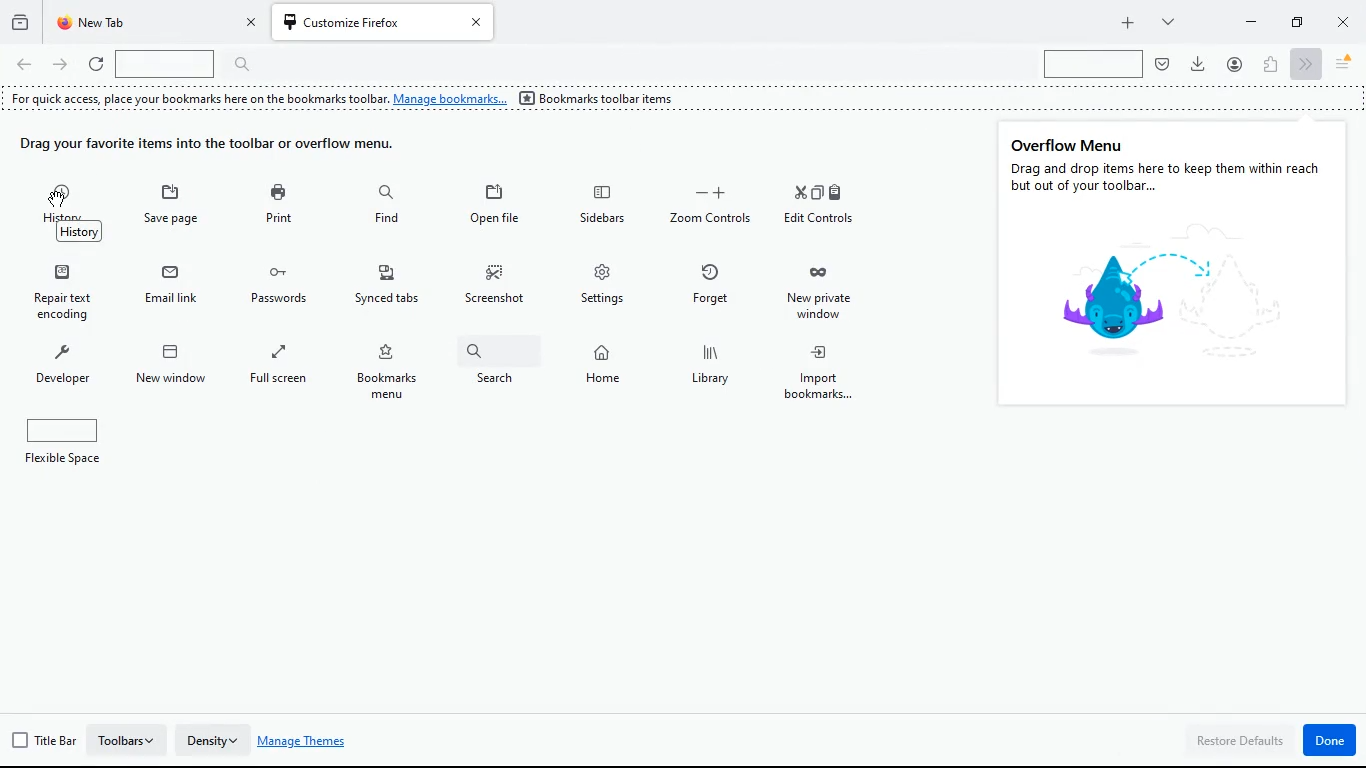 Image resolution: width=1366 pixels, height=768 pixels. I want to click on search, so click(1092, 65).